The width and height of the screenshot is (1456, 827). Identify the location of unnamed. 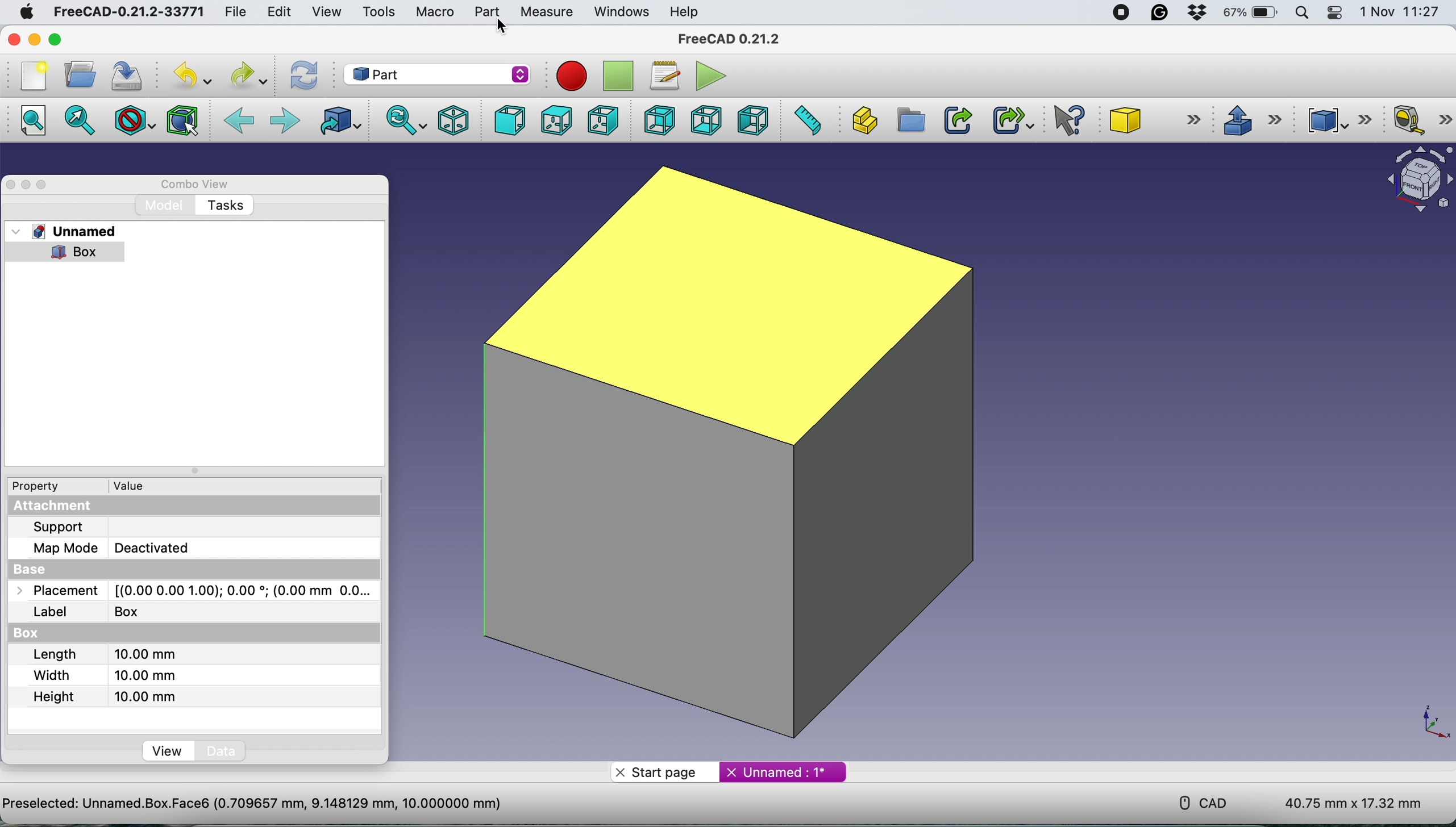
(75, 232).